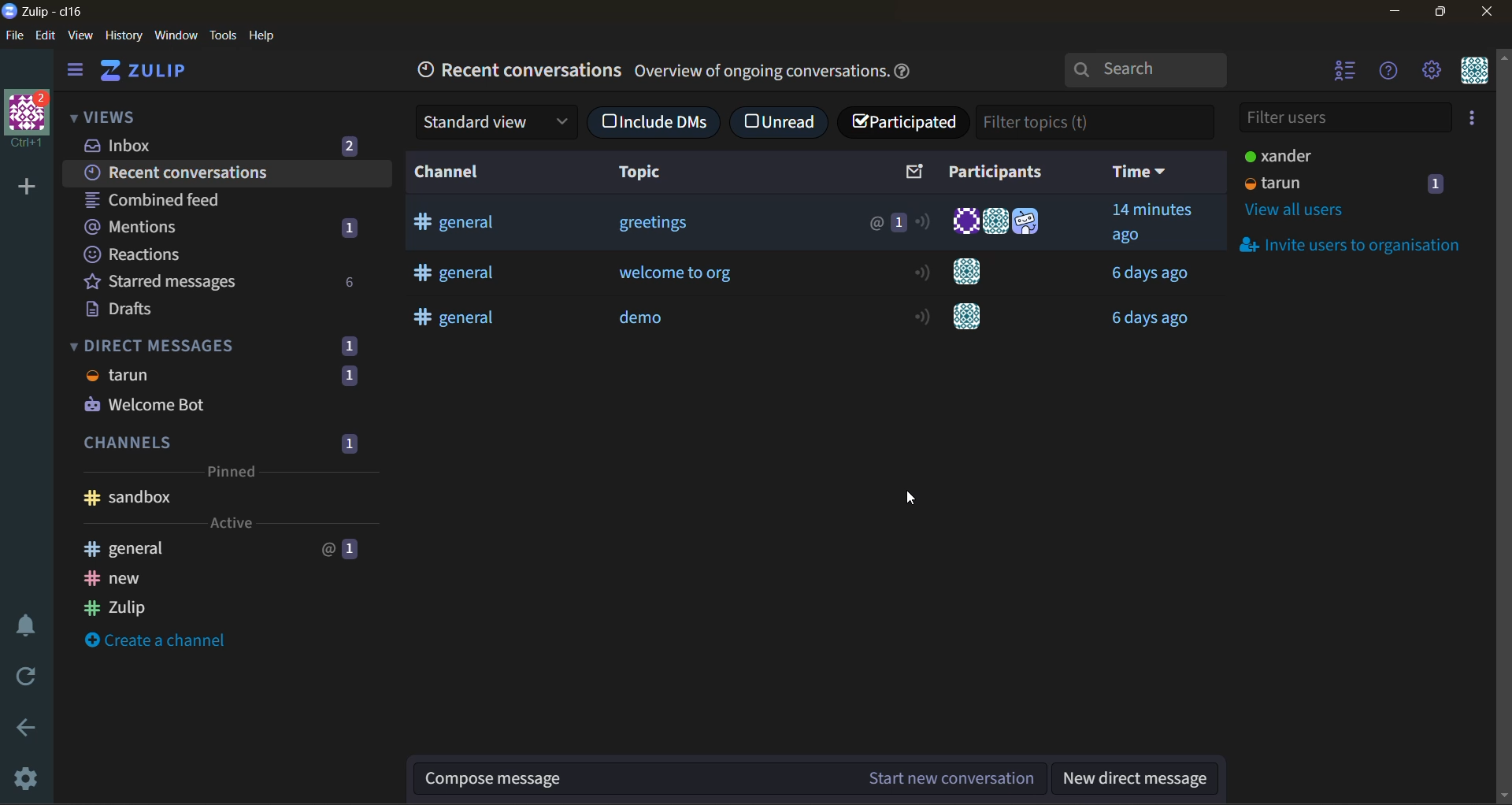 This screenshot has width=1512, height=805. Describe the element at coordinates (43, 9) in the screenshot. I see `app name and organisation name` at that location.